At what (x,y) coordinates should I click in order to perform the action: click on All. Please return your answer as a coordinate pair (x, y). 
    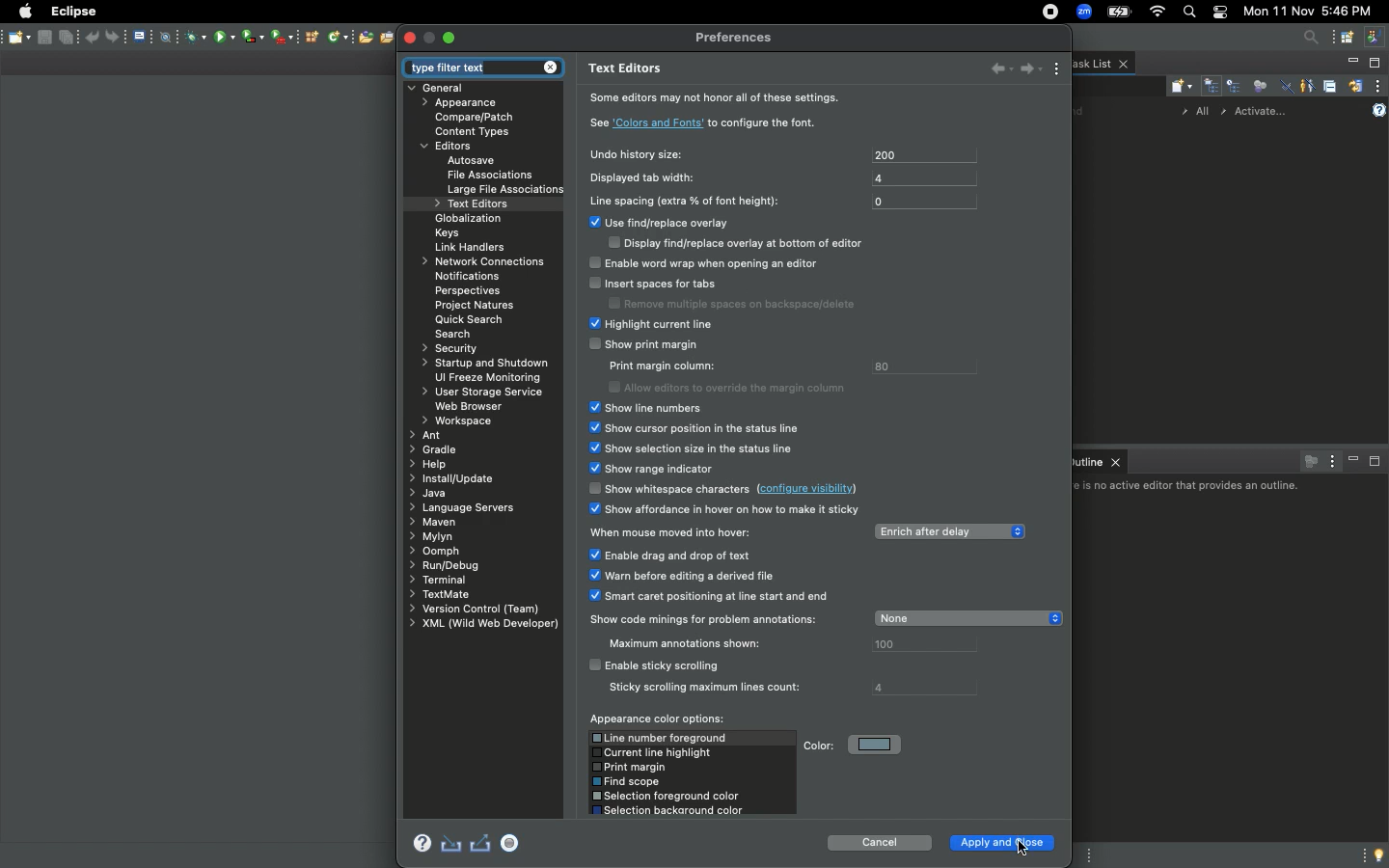
    Looking at the image, I should click on (1197, 112).